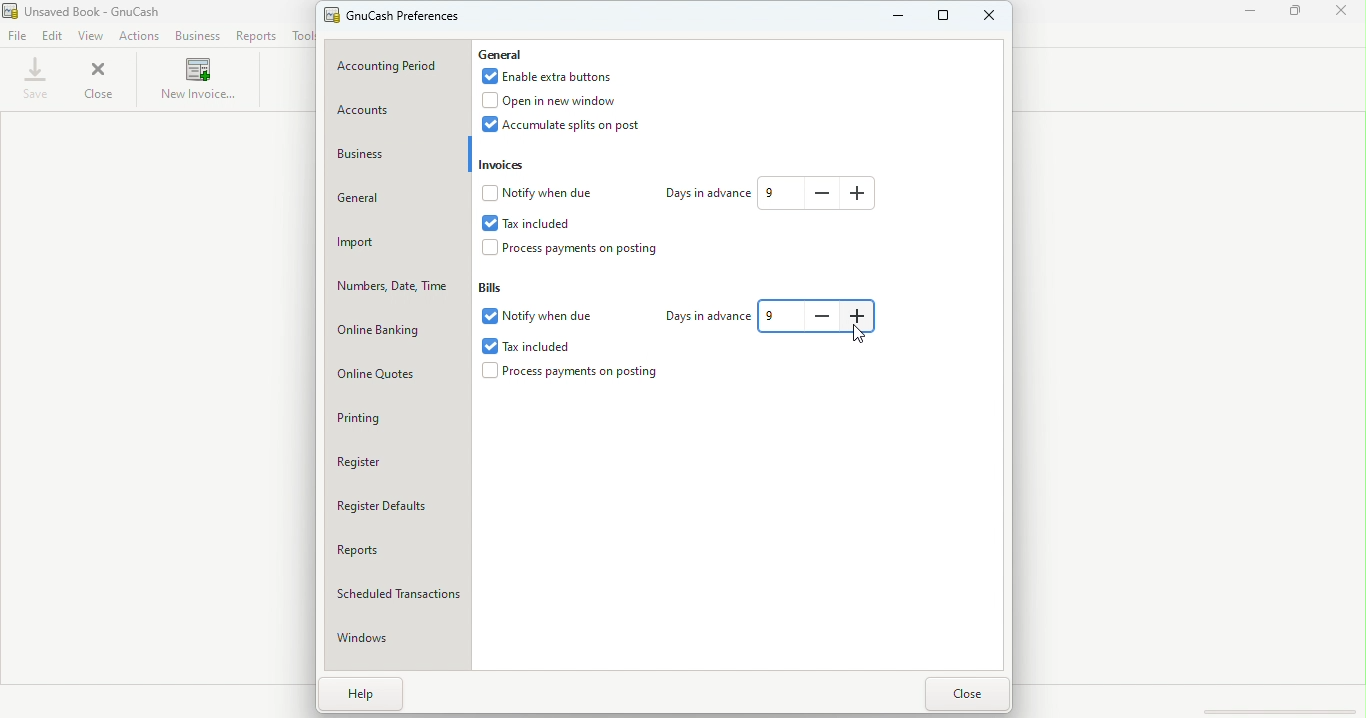 The image size is (1366, 718). Describe the element at coordinates (576, 128) in the screenshot. I see `Accumulate splits on posts` at that location.